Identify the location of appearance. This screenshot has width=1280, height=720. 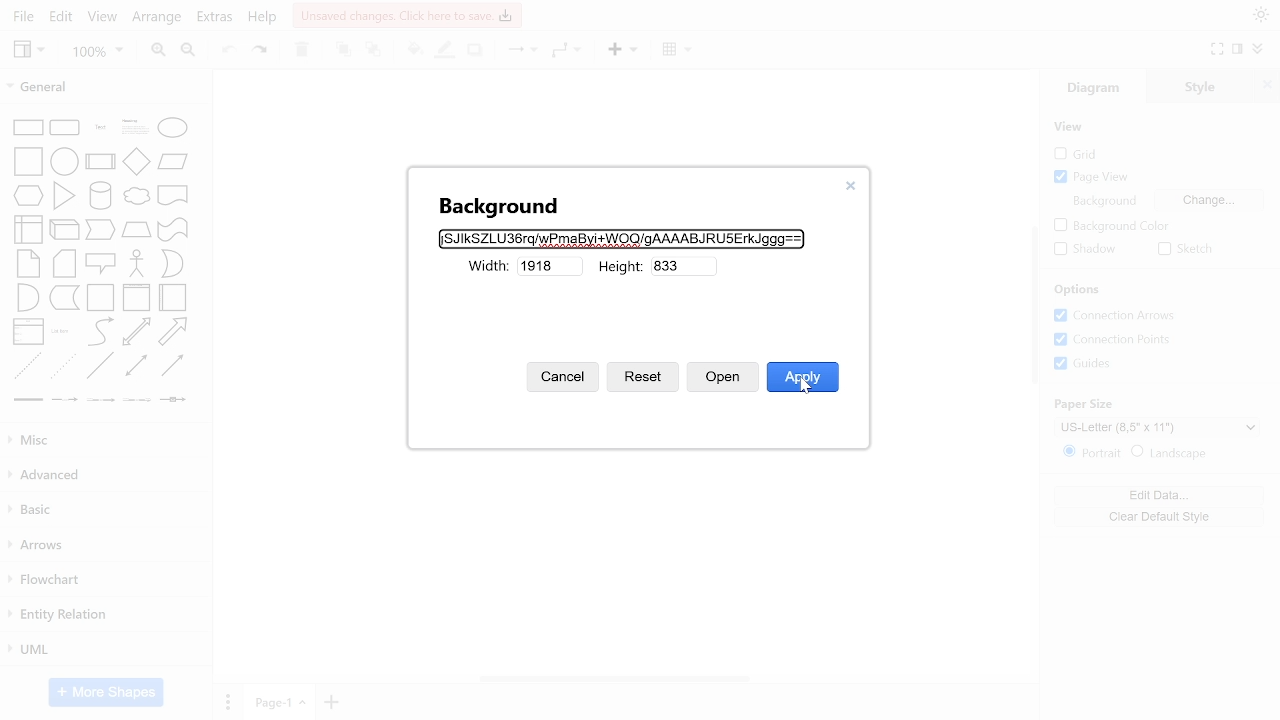
(1258, 15).